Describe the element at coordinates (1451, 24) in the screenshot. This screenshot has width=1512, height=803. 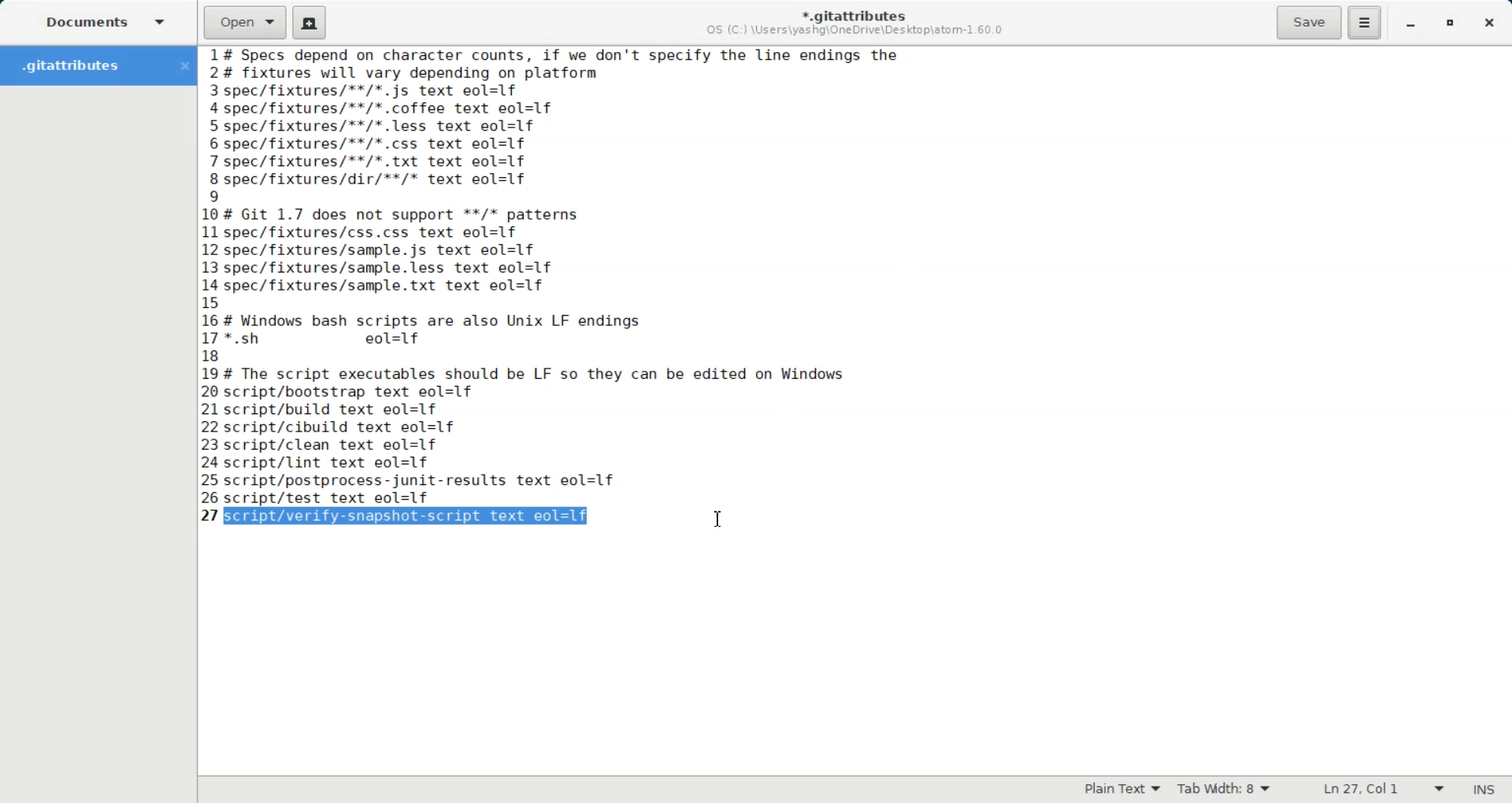
I see `Maximize` at that location.